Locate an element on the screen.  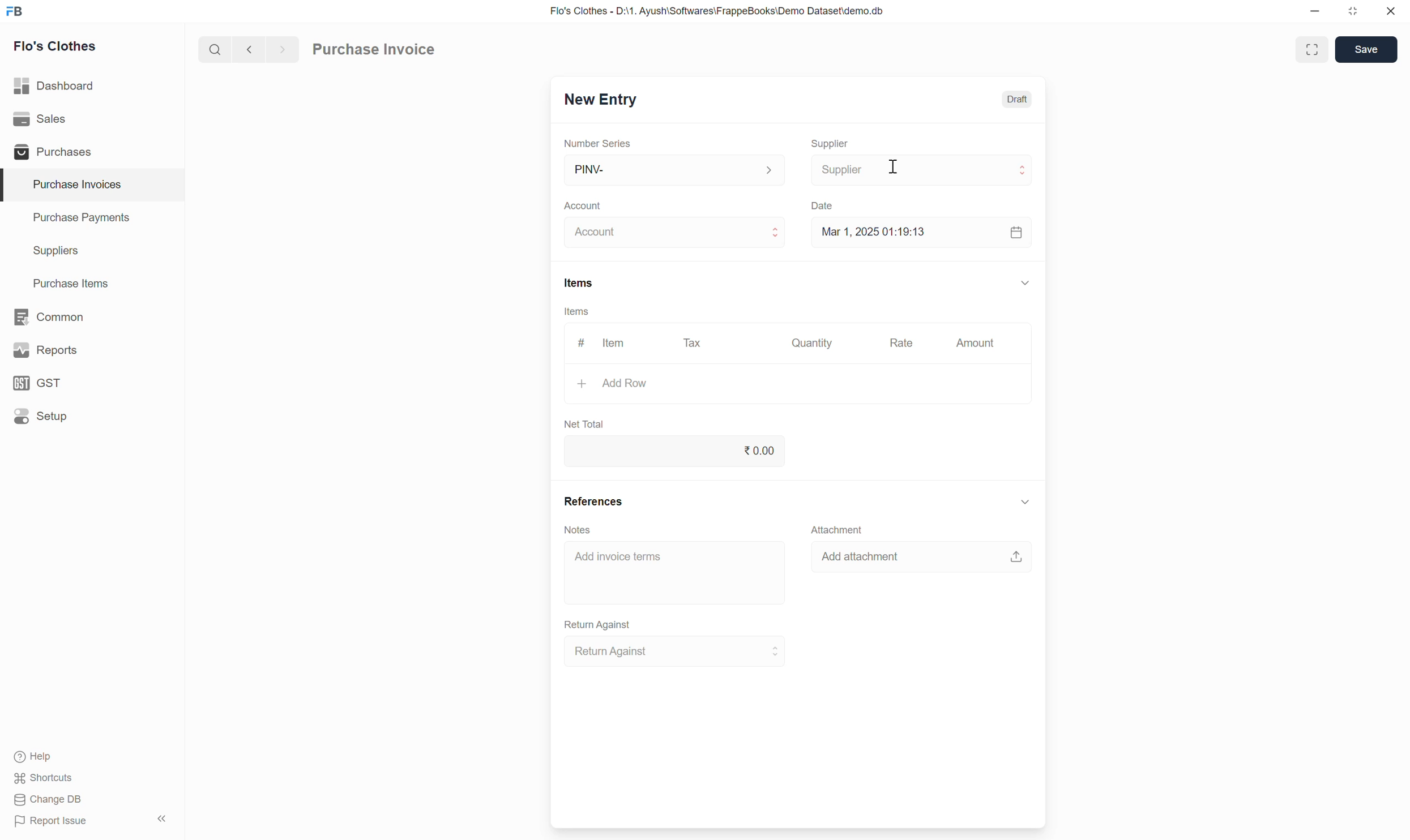
Notes is located at coordinates (580, 530).